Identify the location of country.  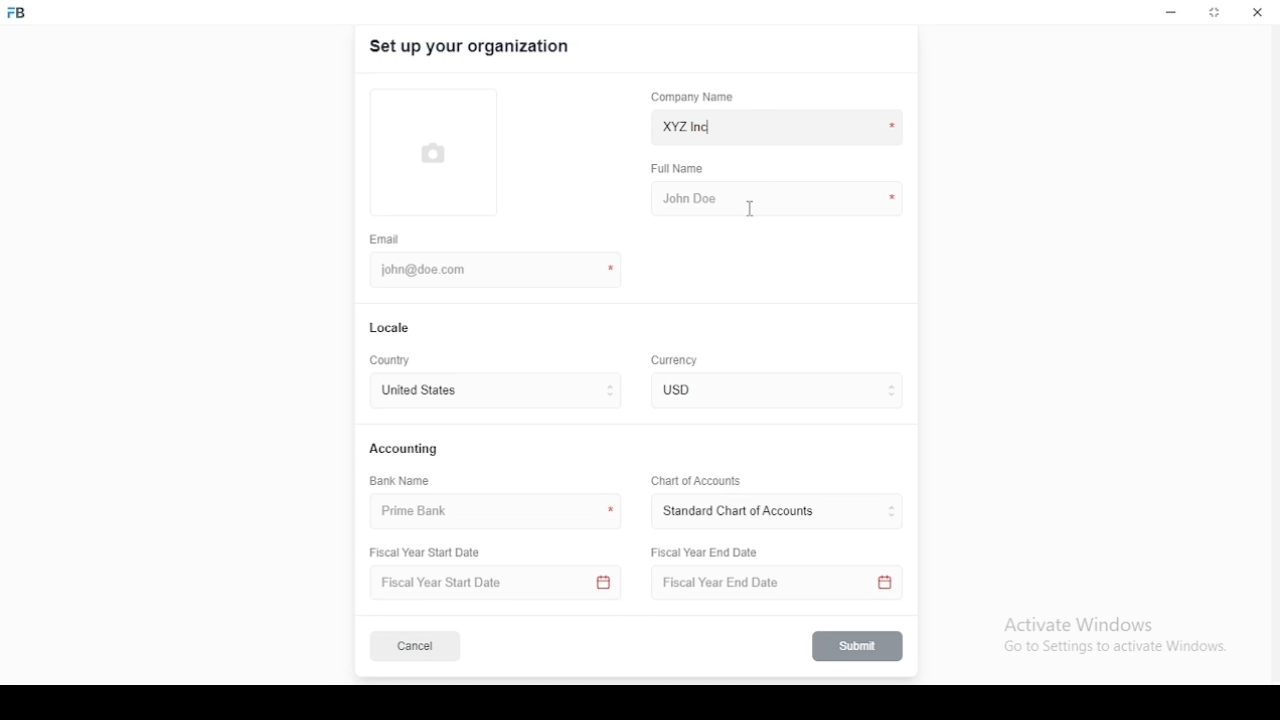
(392, 361).